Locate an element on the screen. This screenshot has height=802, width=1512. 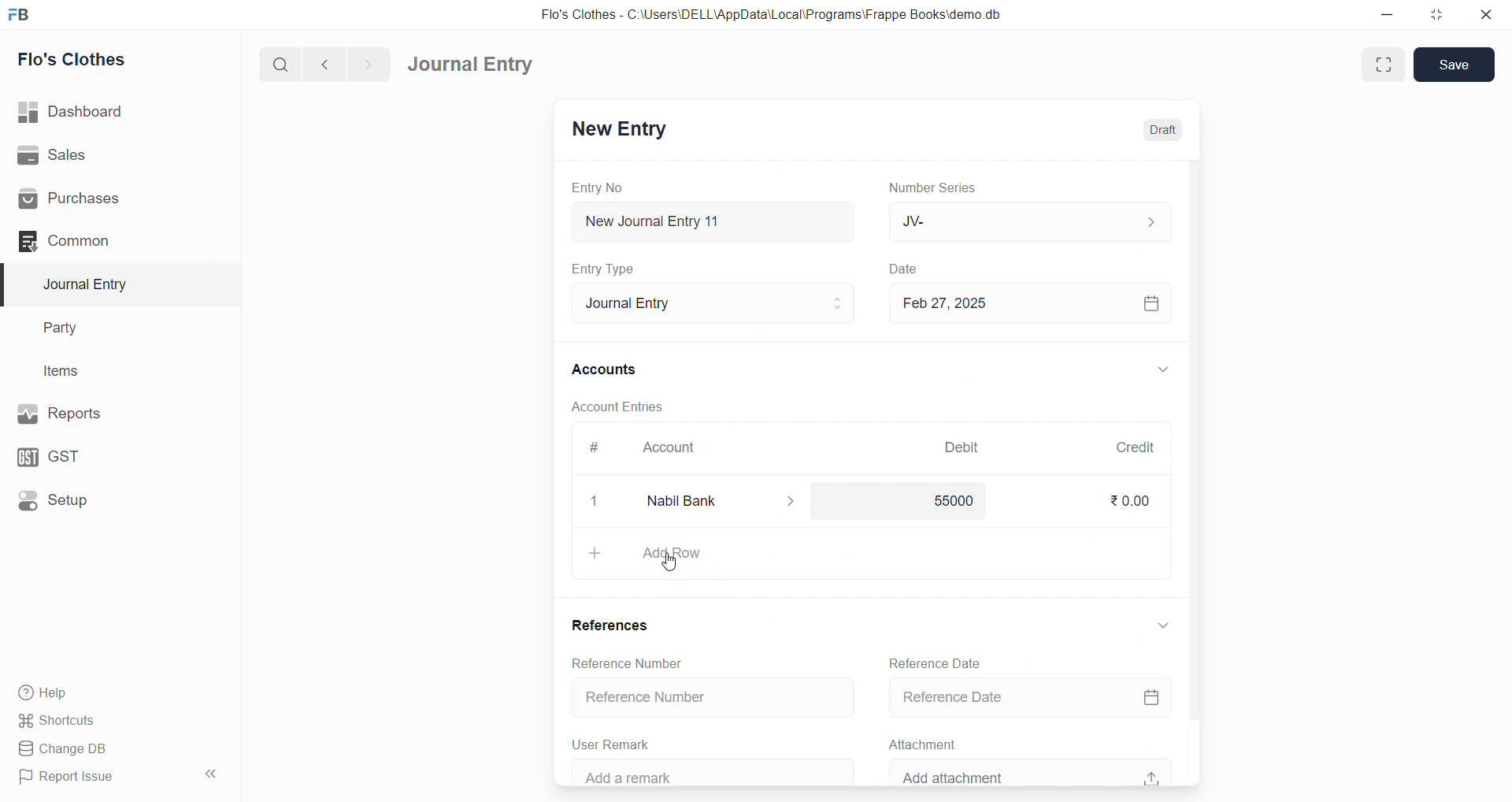
VERTICAL SCROLL BAR is located at coordinates (1192, 472).